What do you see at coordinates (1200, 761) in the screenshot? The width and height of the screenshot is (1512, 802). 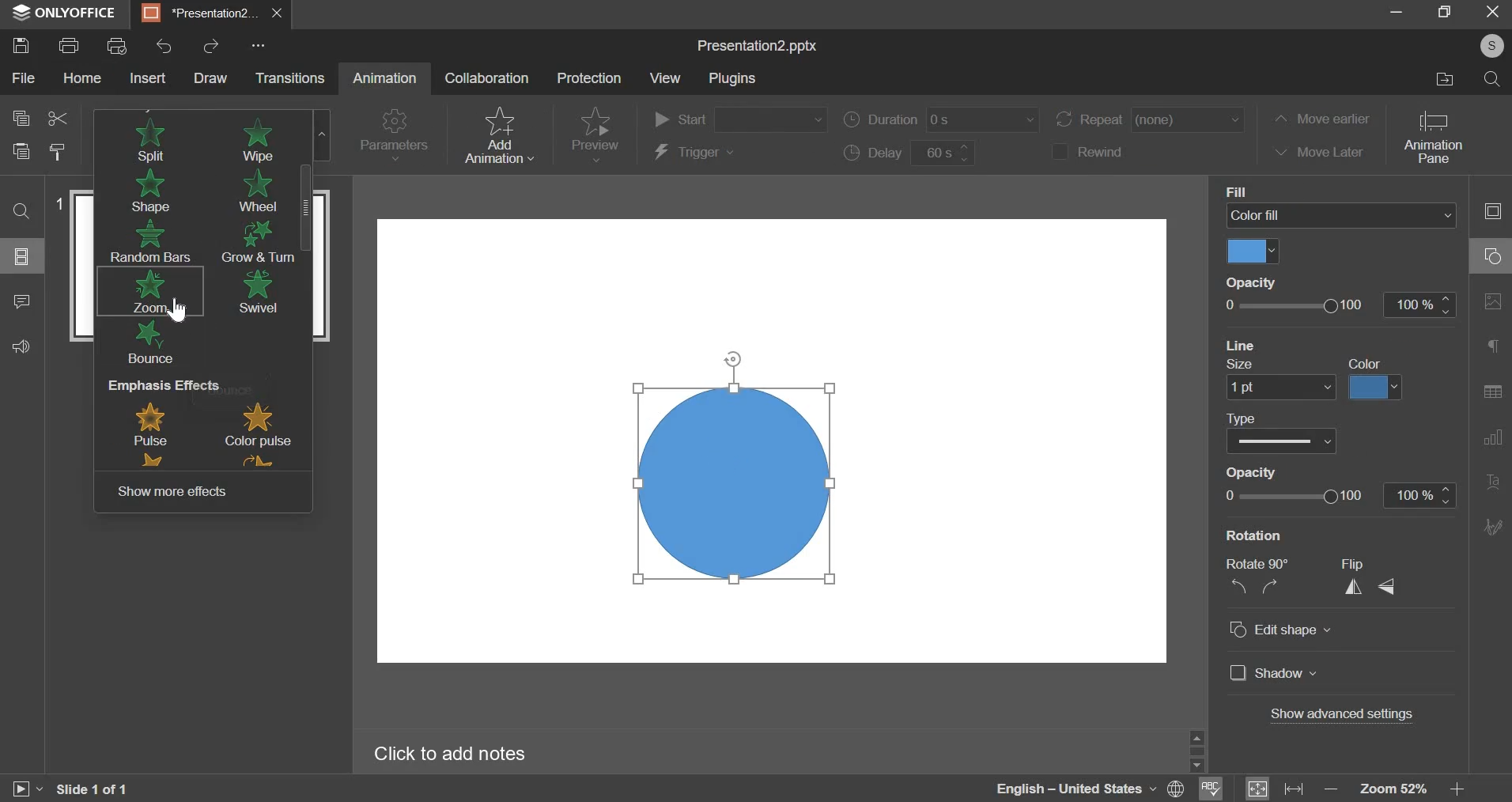 I see `` at bounding box center [1200, 761].